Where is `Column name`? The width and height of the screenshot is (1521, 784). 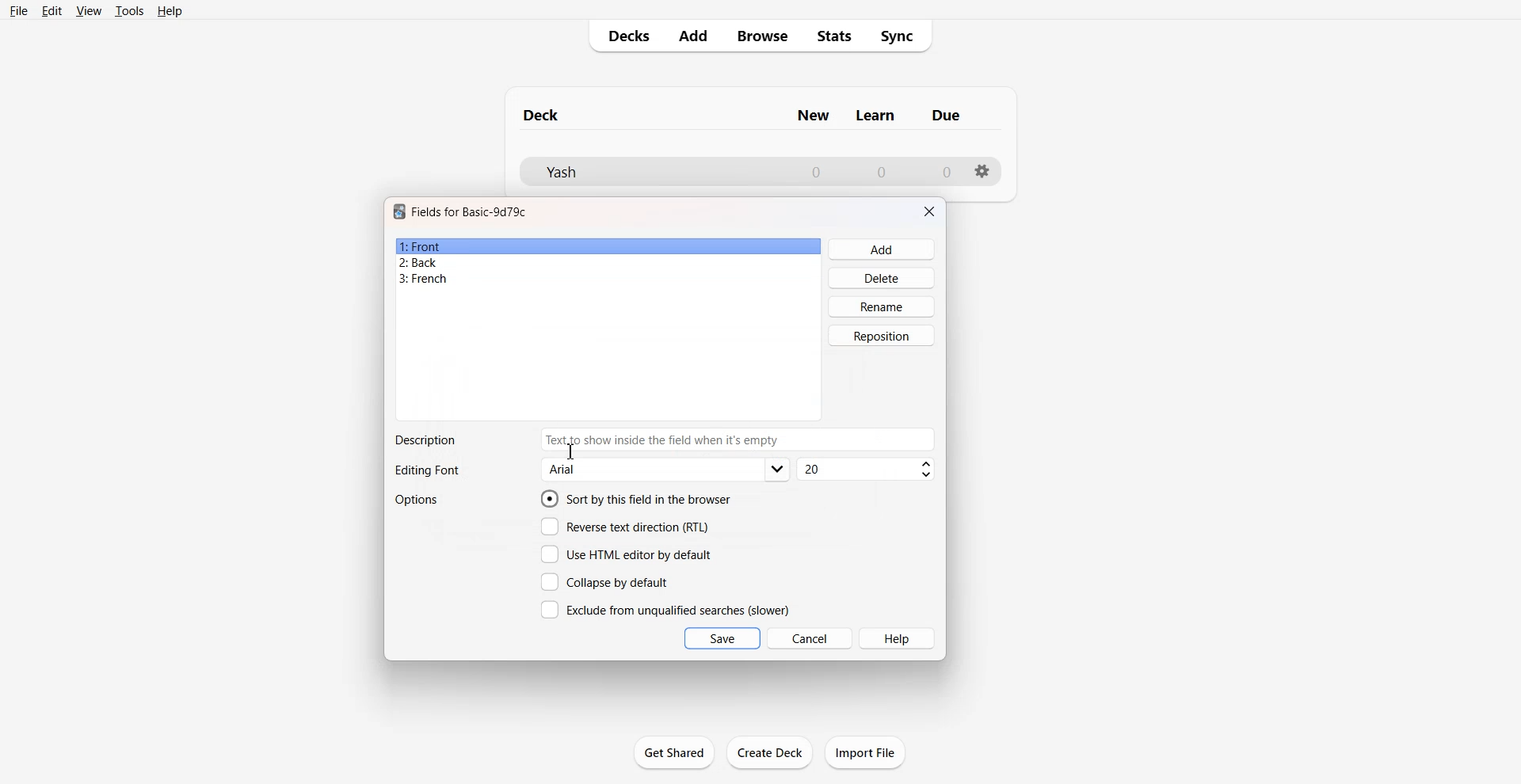
Column name is located at coordinates (946, 115).